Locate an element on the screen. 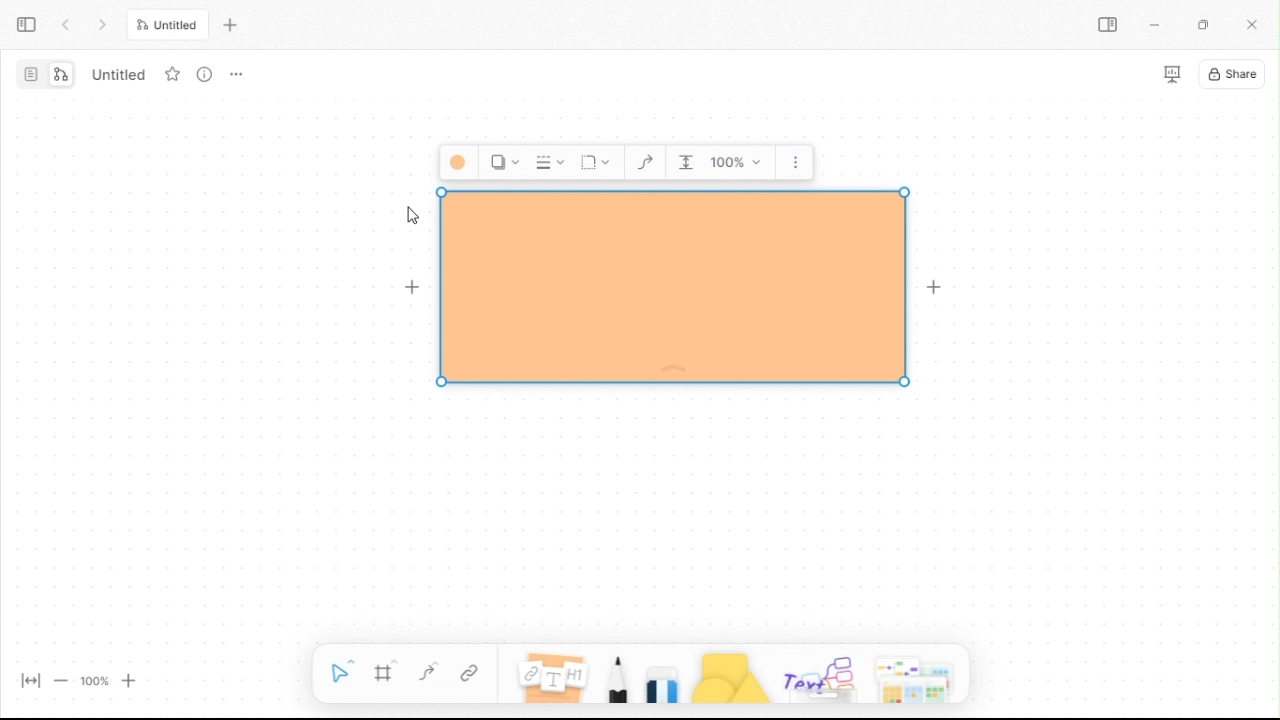  more shapes is located at coordinates (919, 673).